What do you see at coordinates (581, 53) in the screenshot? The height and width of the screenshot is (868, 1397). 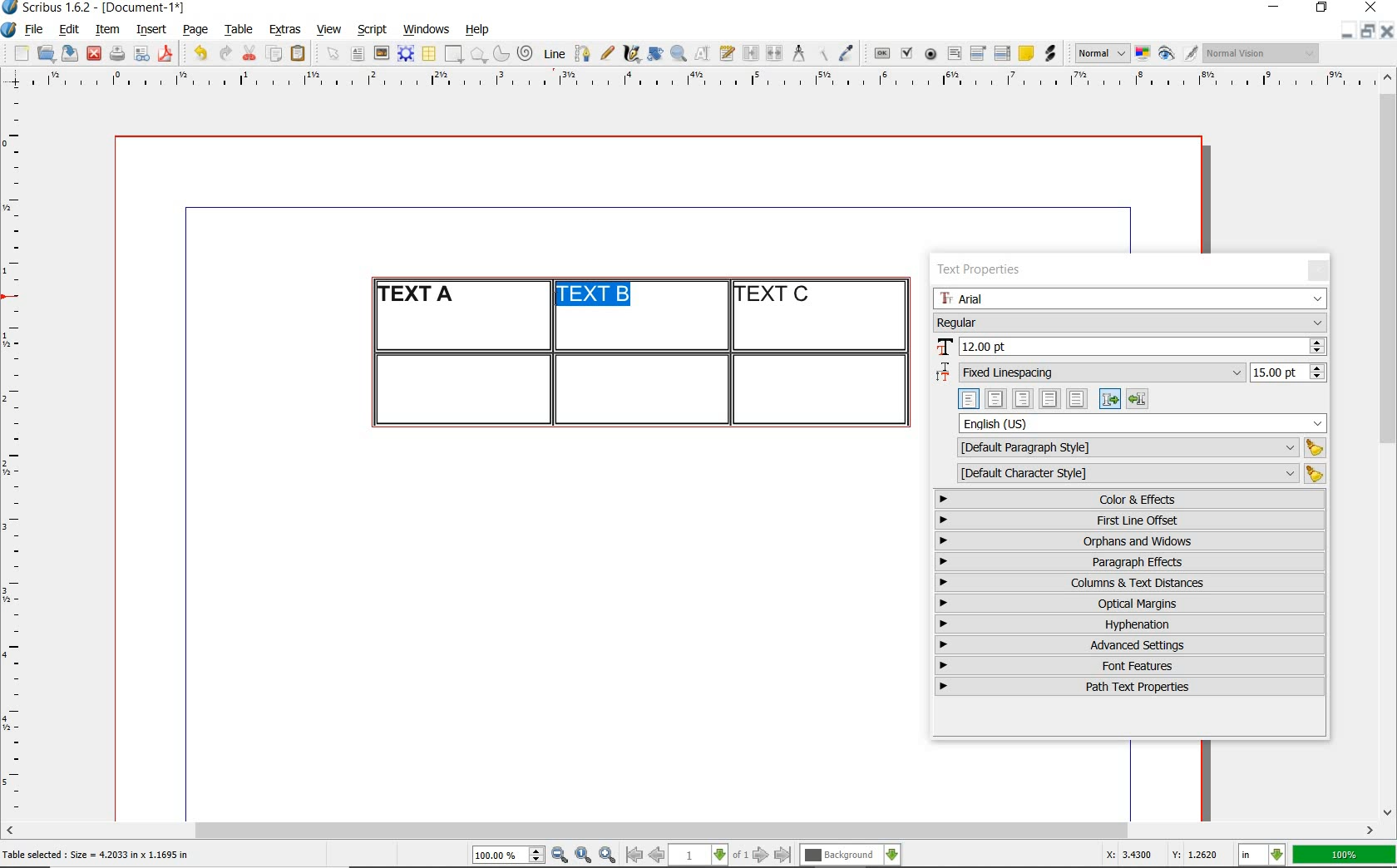 I see `Bezier curve` at bounding box center [581, 53].